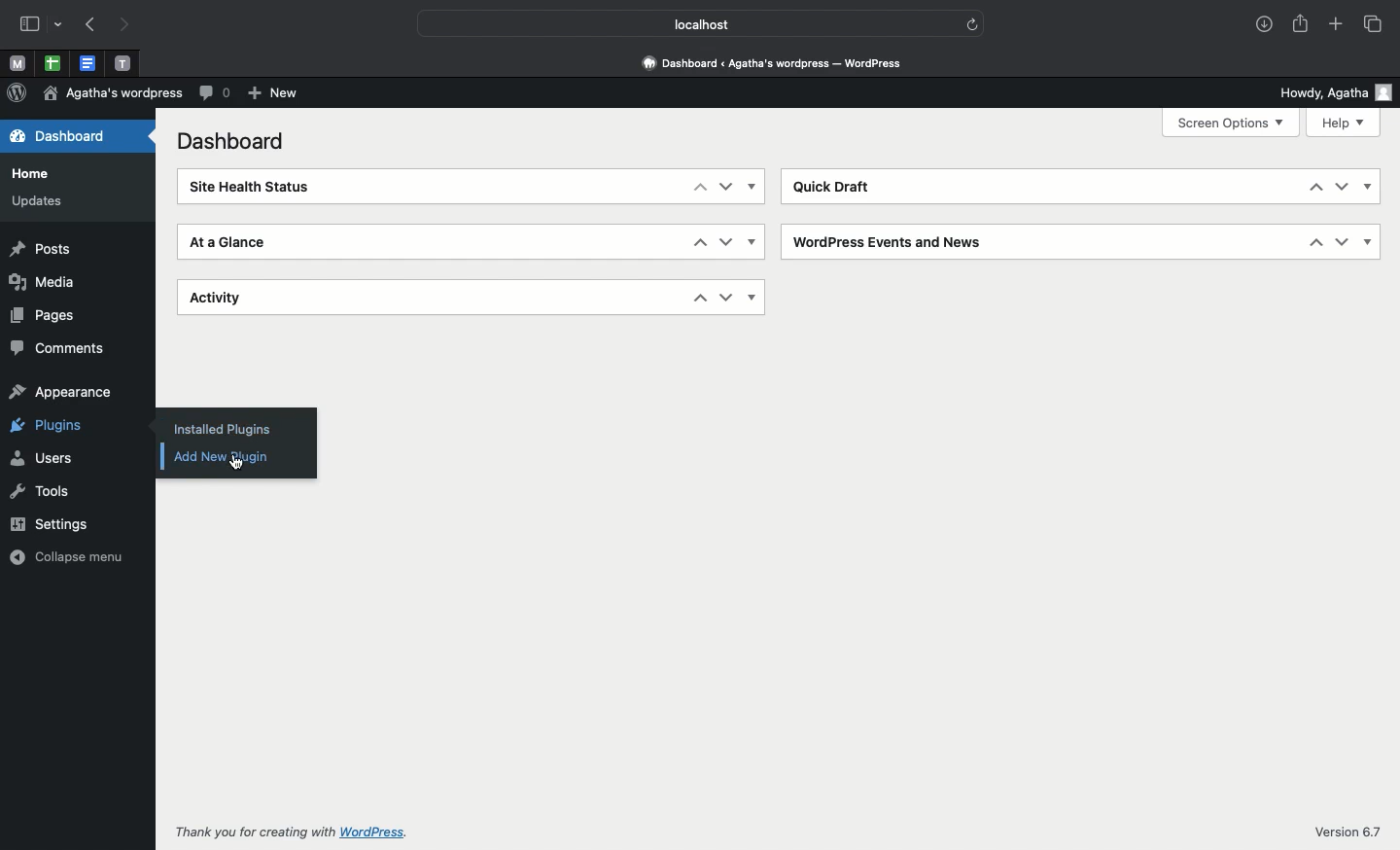 Image resolution: width=1400 pixels, height=850 pixels. Describe the element at coordinates (1371, 186) in the screenshot. I see `Show` at that location.